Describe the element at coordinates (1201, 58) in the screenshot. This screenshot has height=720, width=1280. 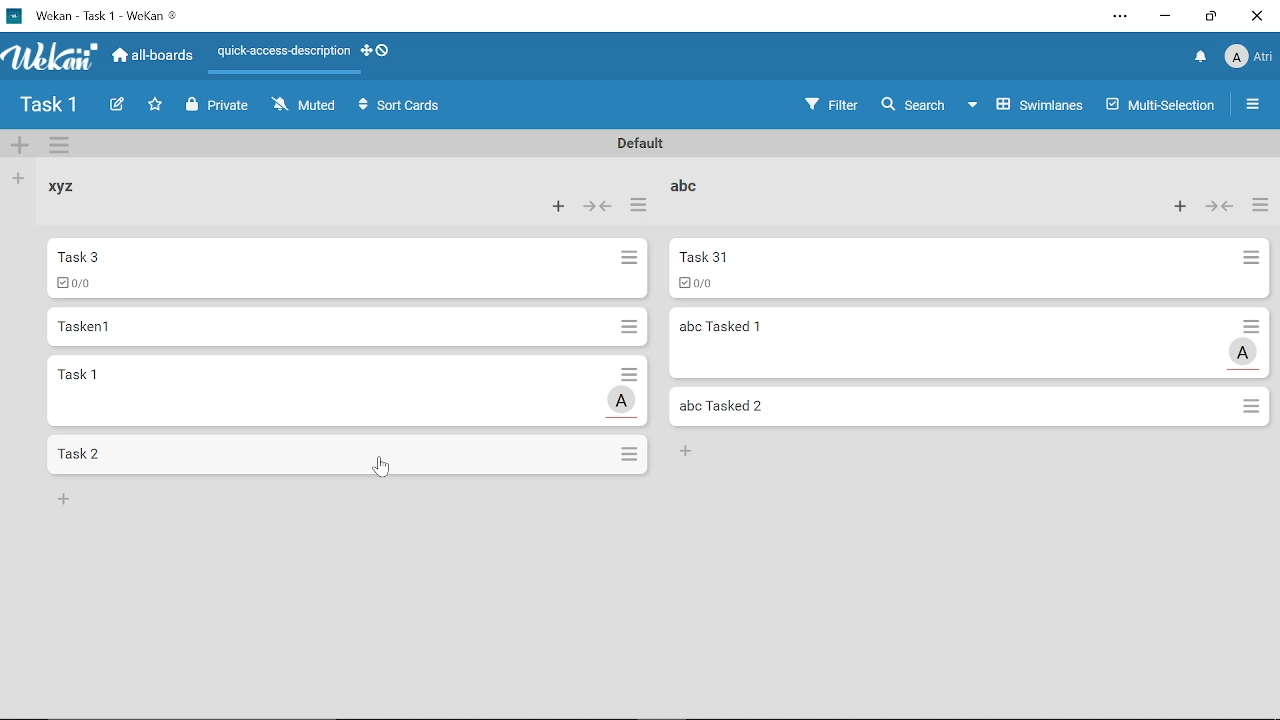
I see `Notifications` at that location.